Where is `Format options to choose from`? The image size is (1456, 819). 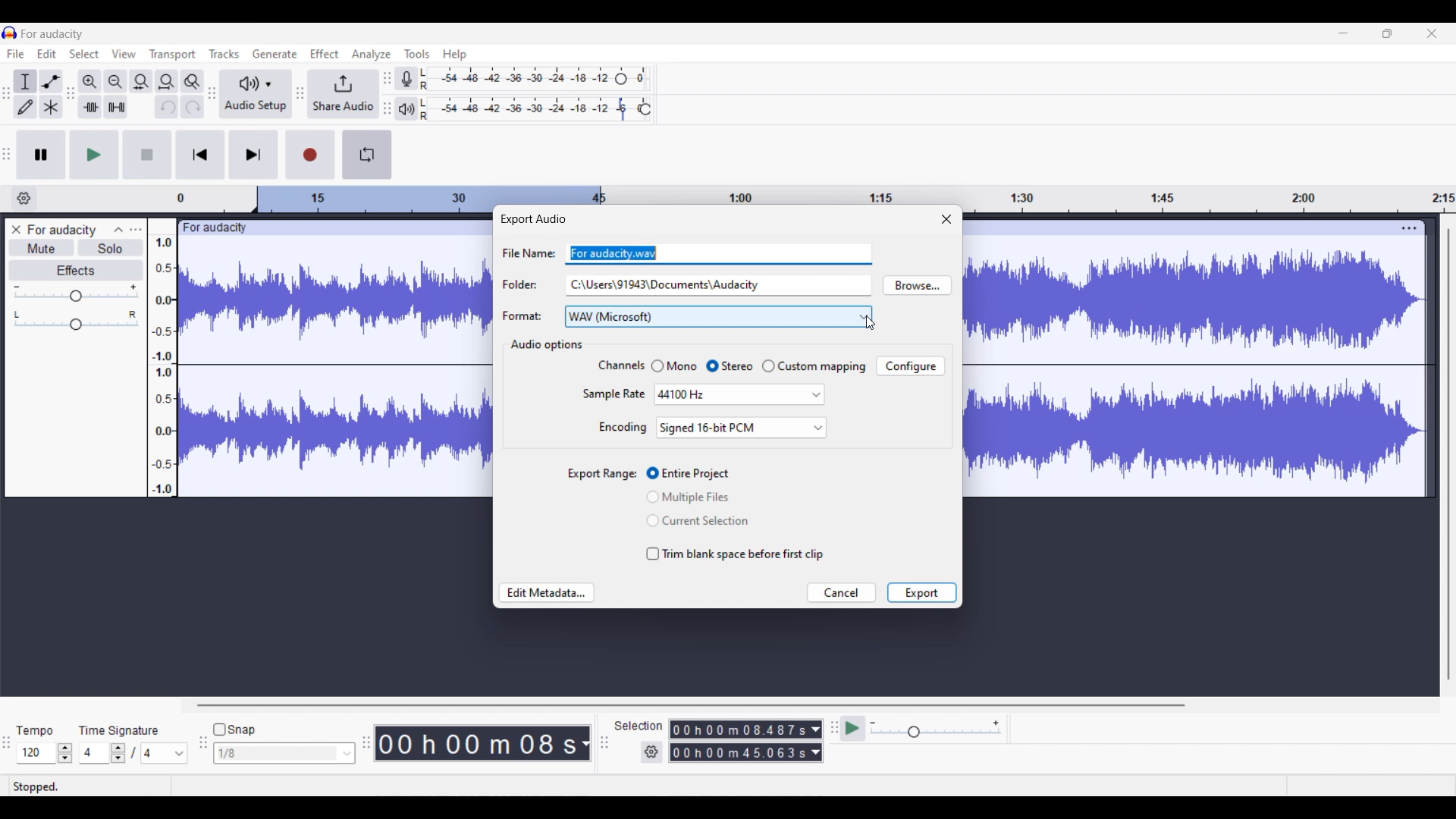
Format options to choose from is located at coordinates (719, 317).